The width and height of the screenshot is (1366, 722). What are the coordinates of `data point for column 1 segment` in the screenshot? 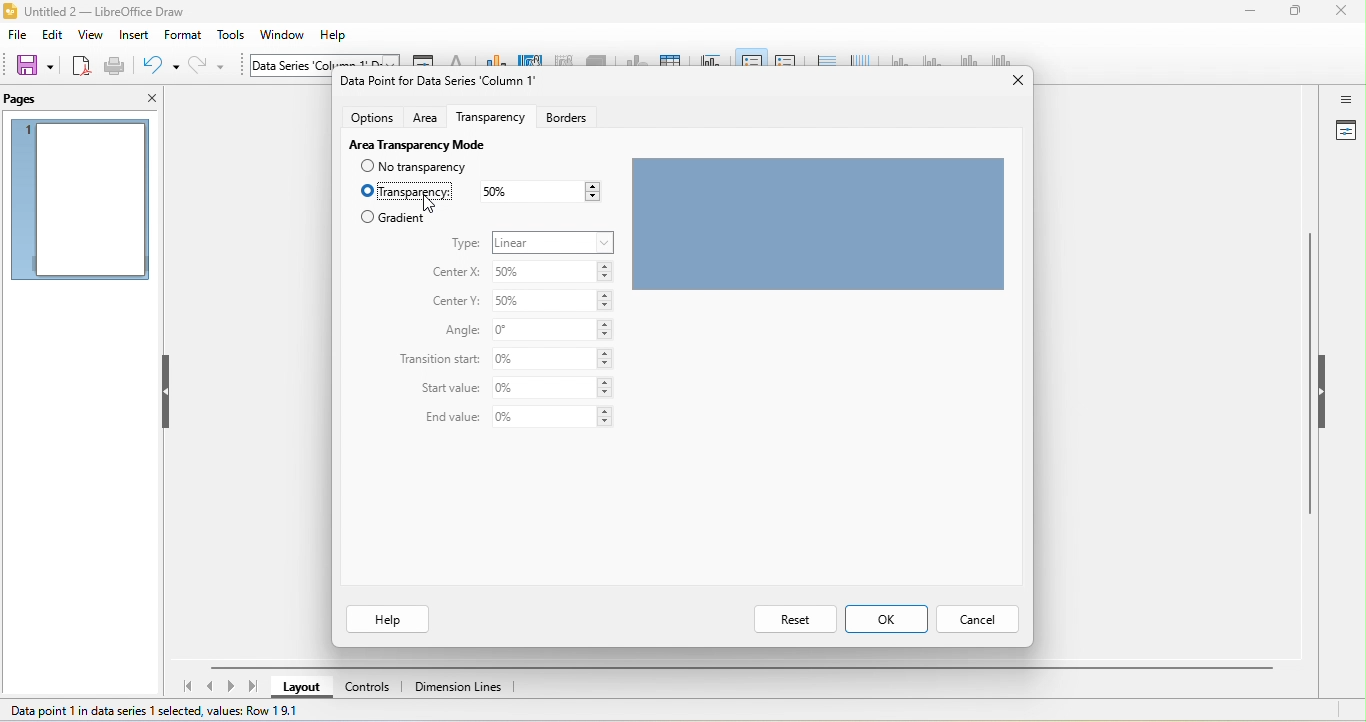 It's located at (441, 83).